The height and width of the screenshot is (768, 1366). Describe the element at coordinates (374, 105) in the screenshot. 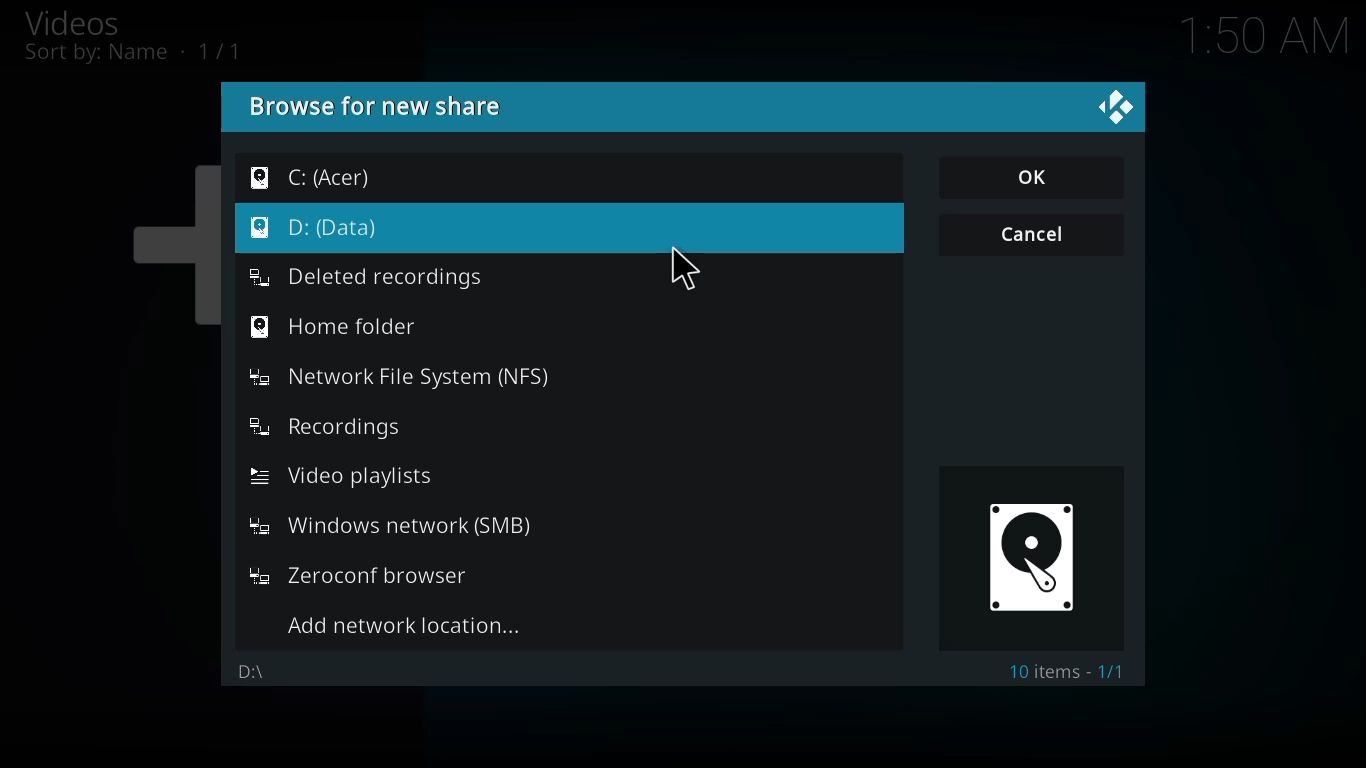

I see `browse for new share` at that location.